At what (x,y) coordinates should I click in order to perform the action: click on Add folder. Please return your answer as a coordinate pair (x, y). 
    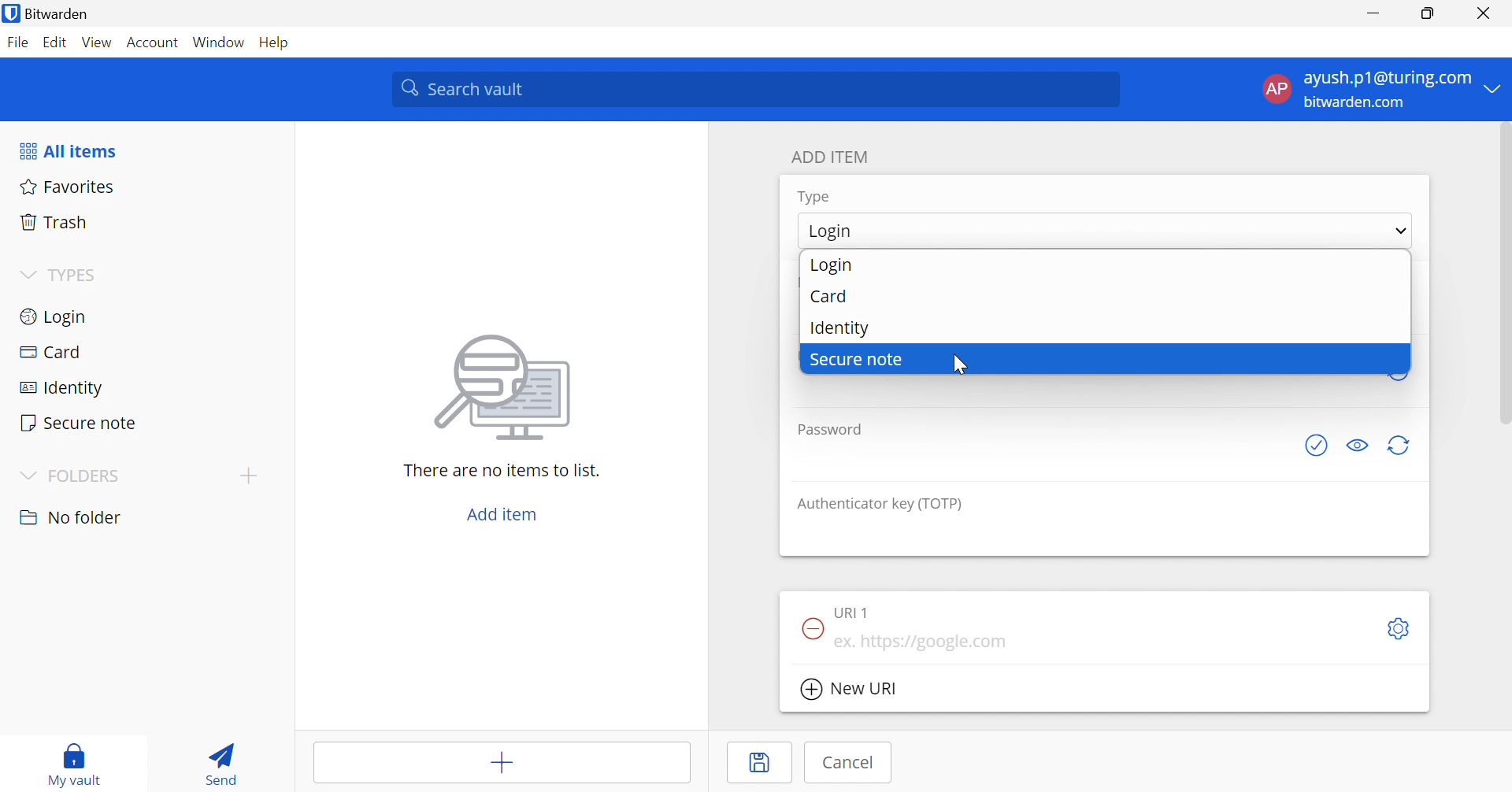
    Looking at the image, I should click on (246, 475).